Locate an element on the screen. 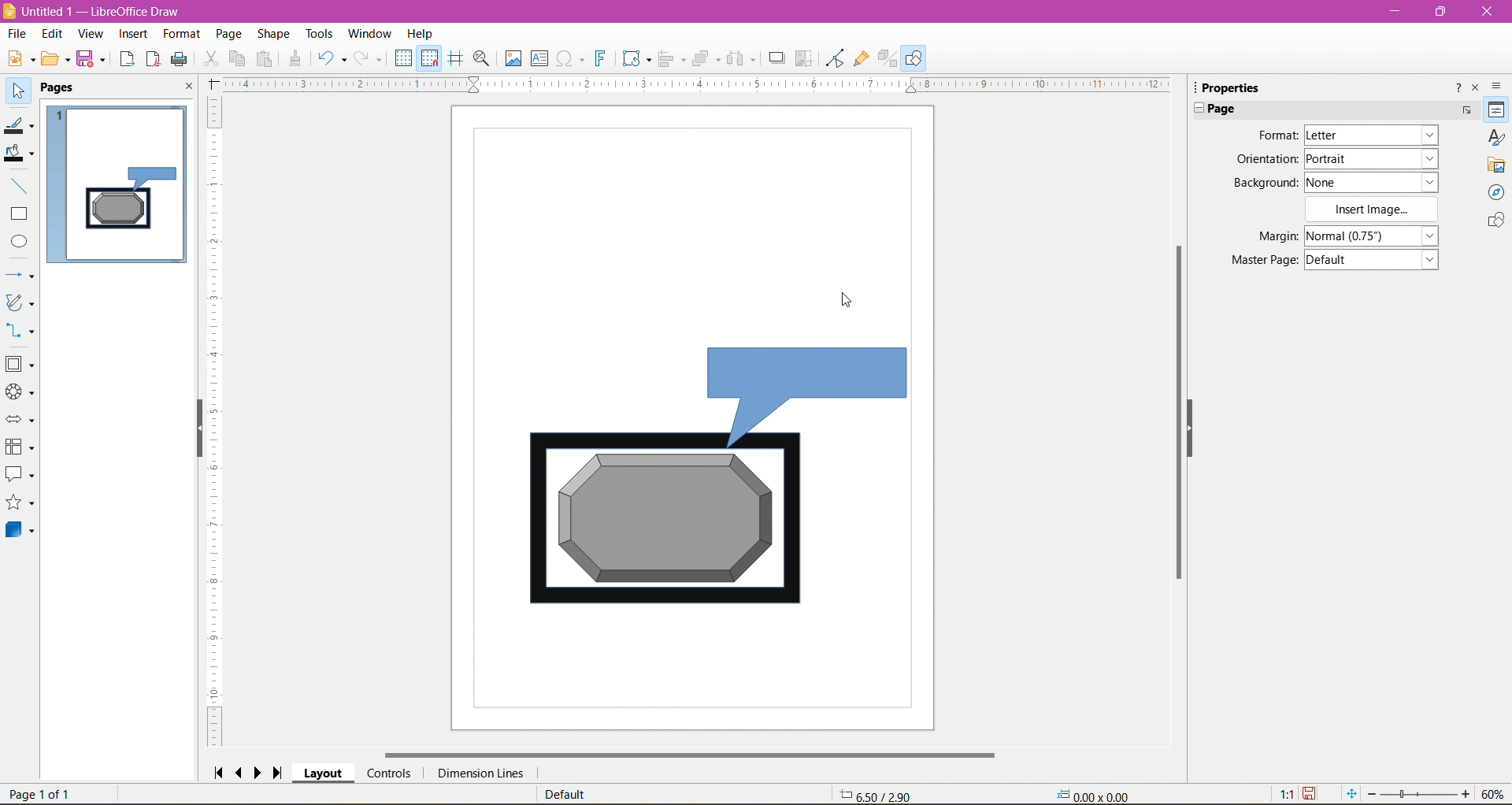  Helplines while moving is located at coordinates (455, 57).